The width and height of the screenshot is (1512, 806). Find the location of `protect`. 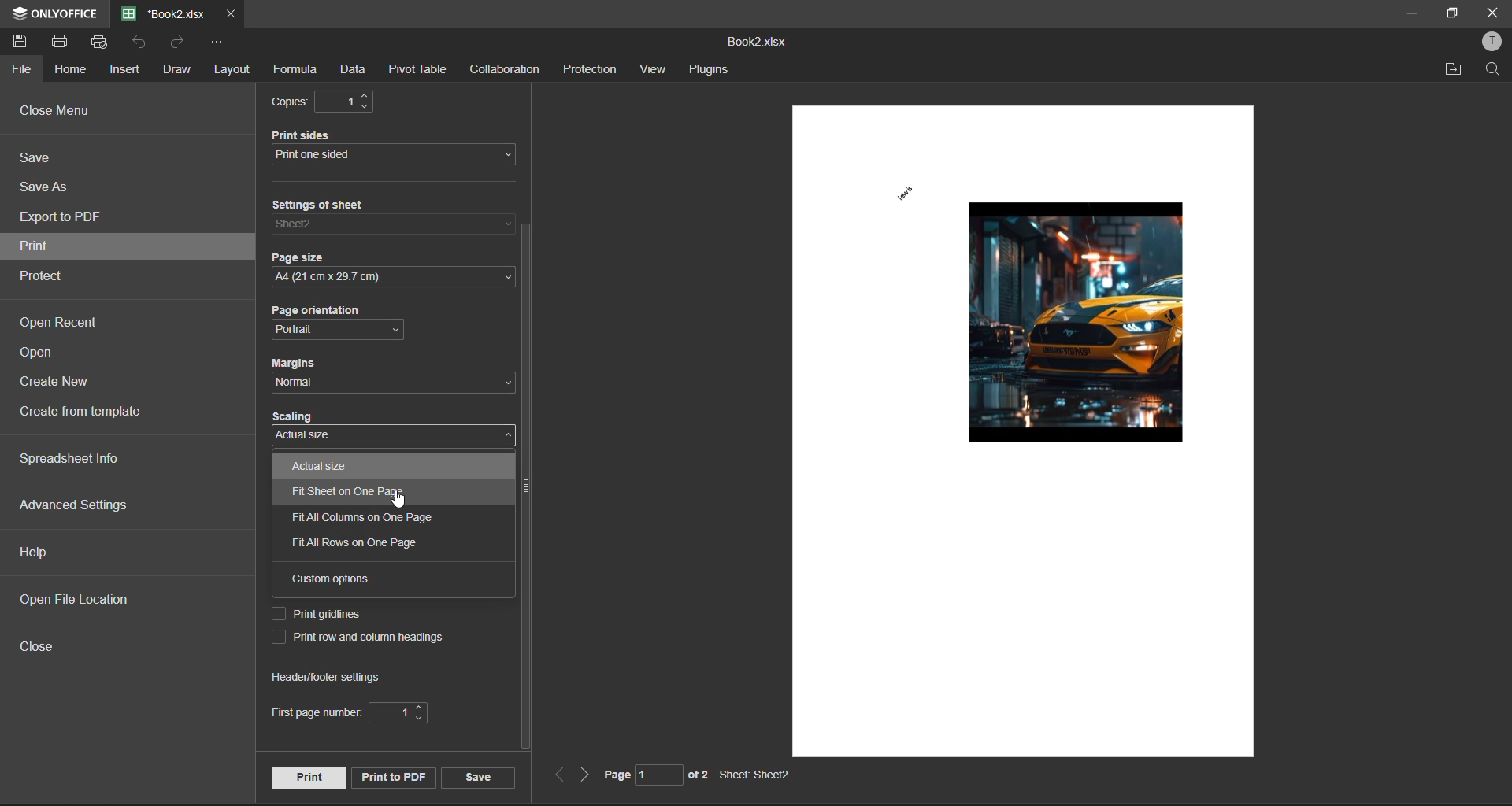

protect is located at coordinates (48, 275).